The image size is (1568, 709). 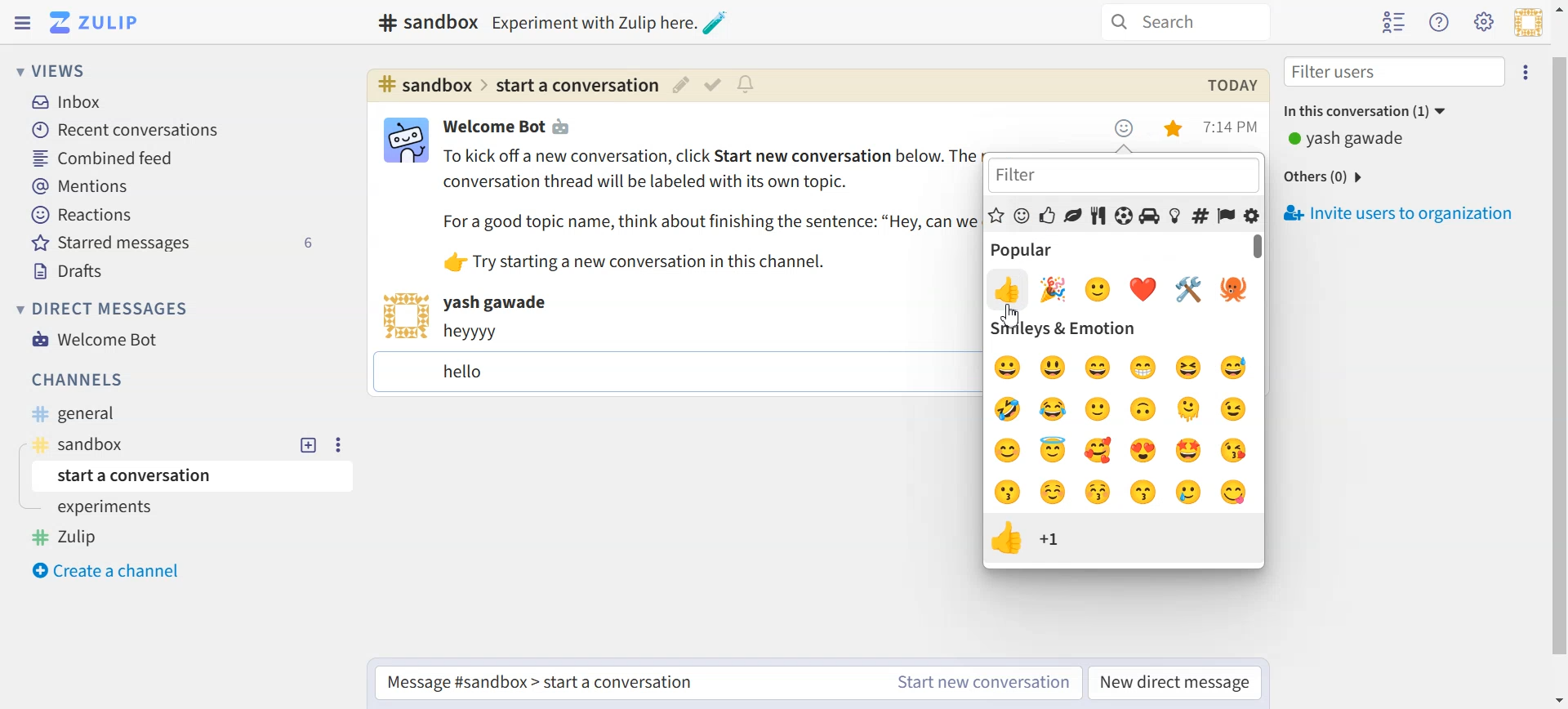 What do you see at coordinates (68, 103) in the screenshot?
I see `Inbox` at bounding box center [68, 103].